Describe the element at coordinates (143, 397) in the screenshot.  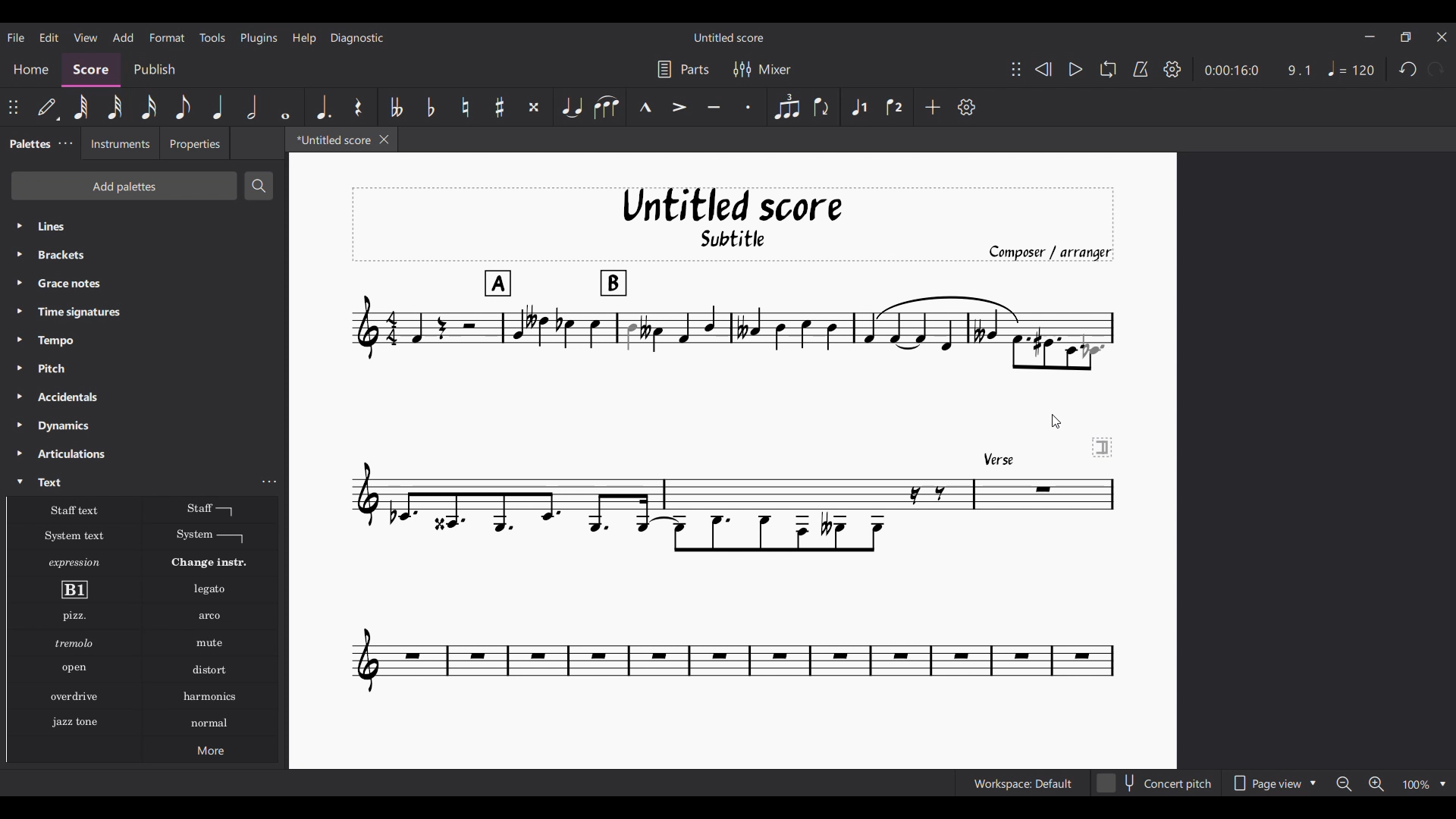
I see `Accidentals` at that location.